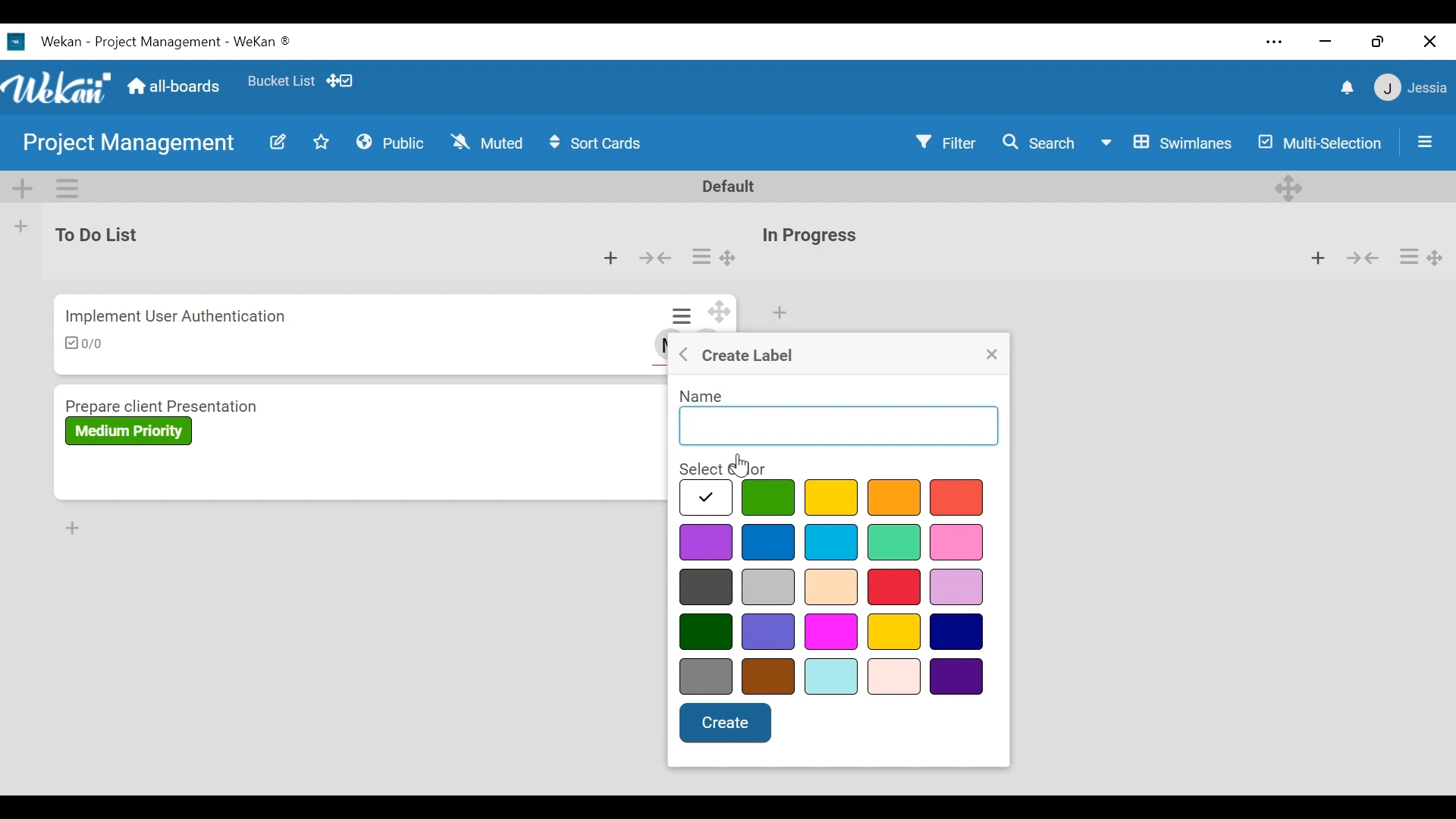 The width and height of the screenshot is (1456, 819). What do you see at coordinates (731, 186) in the screenshot?
I see `Default` at bounding box center [731, 186].